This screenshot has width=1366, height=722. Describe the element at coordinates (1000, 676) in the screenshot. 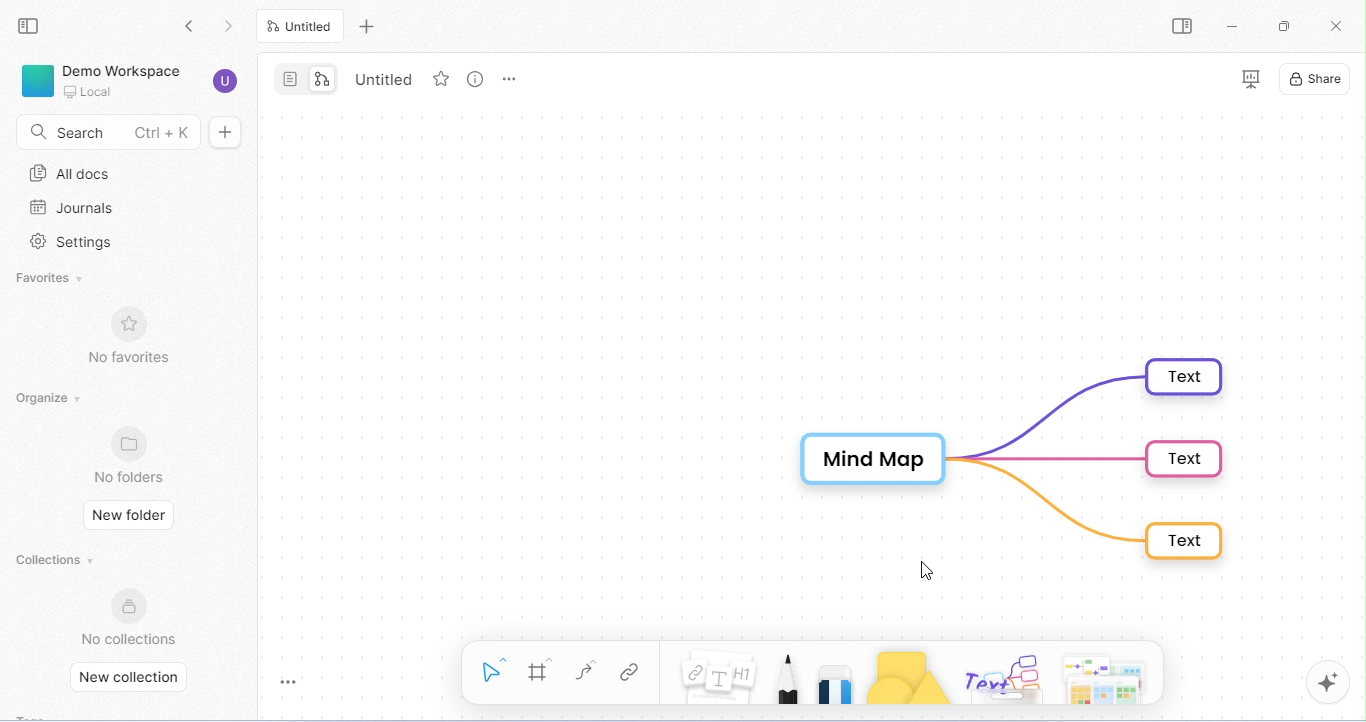

I see `others` at that location.